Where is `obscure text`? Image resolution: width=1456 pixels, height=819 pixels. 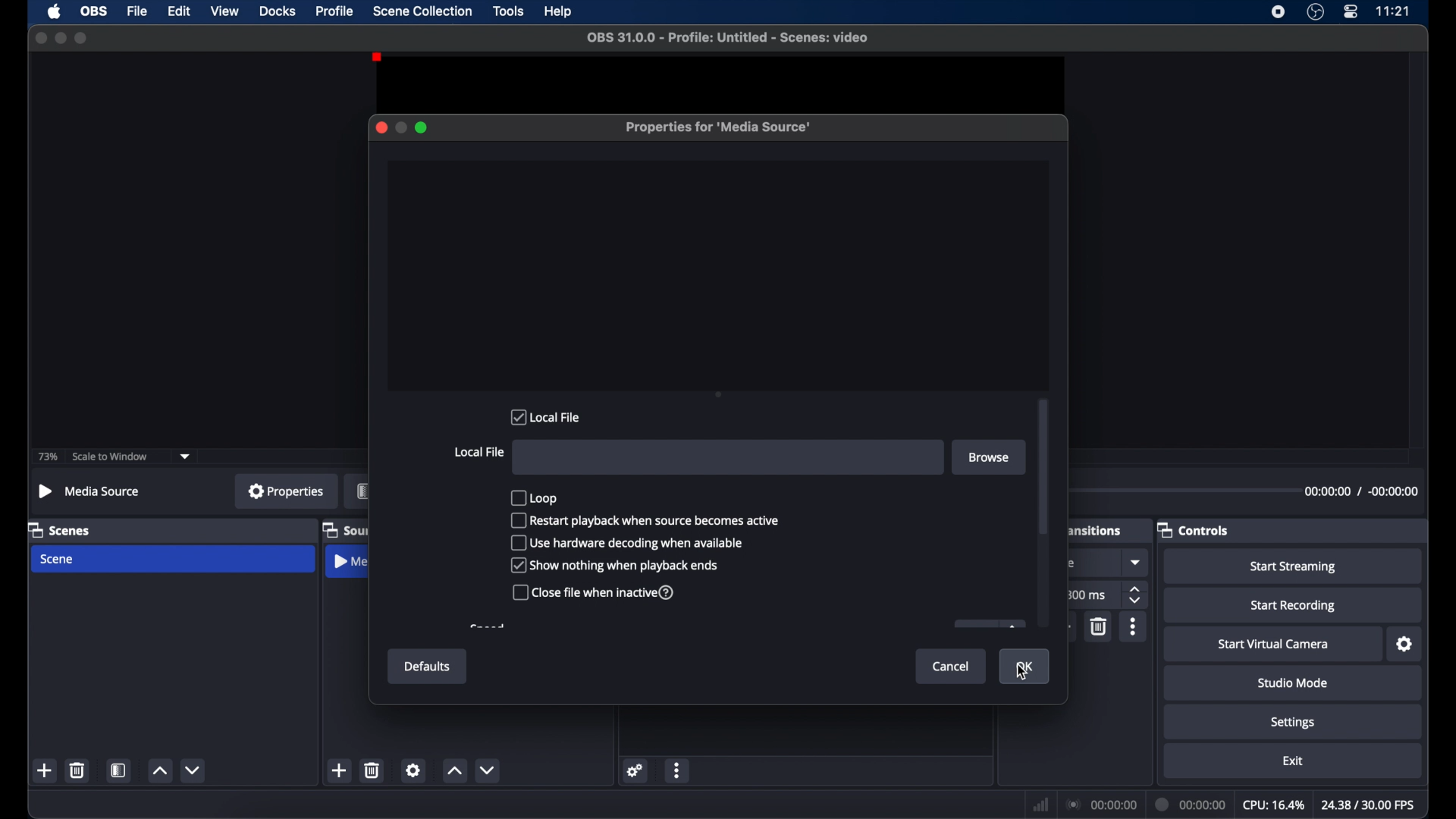 obscure text is located at coordinates (487, 626).